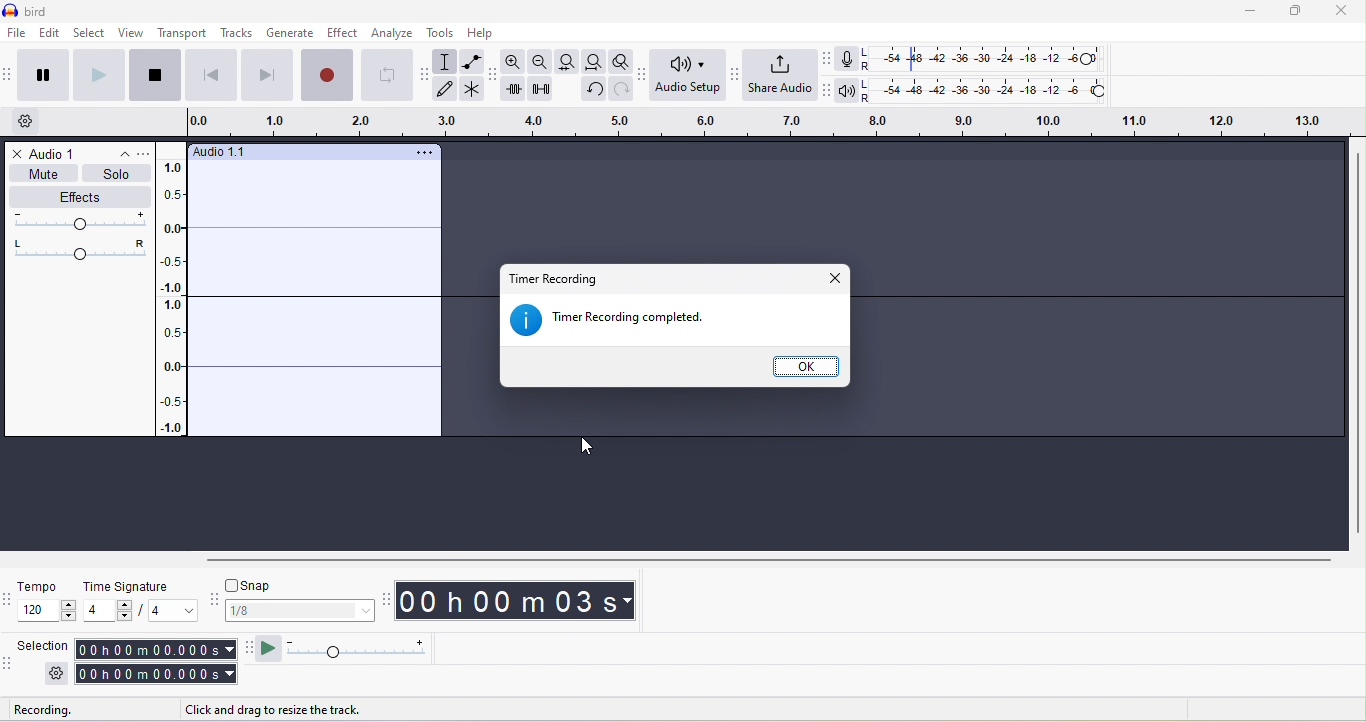 Image resolution: width=1366 pixels, height=722 pixels. Describe the element at coordinates (88, 34) in the screenshot. I see `select` at that location.